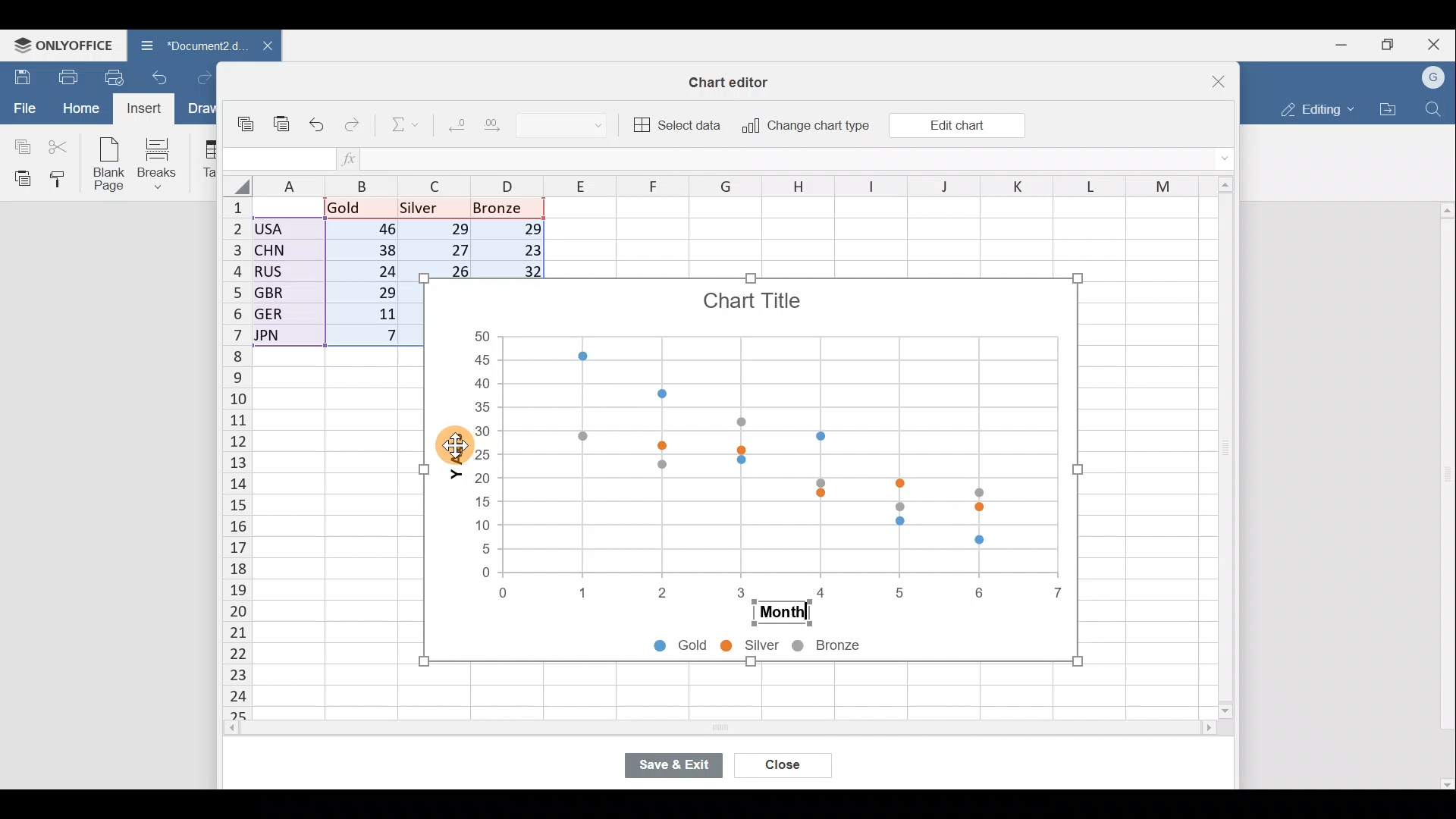 Image resolution: width=1456 pixels, height=819 pixels. I want to click on Scroll bar, so click(1444, 495).